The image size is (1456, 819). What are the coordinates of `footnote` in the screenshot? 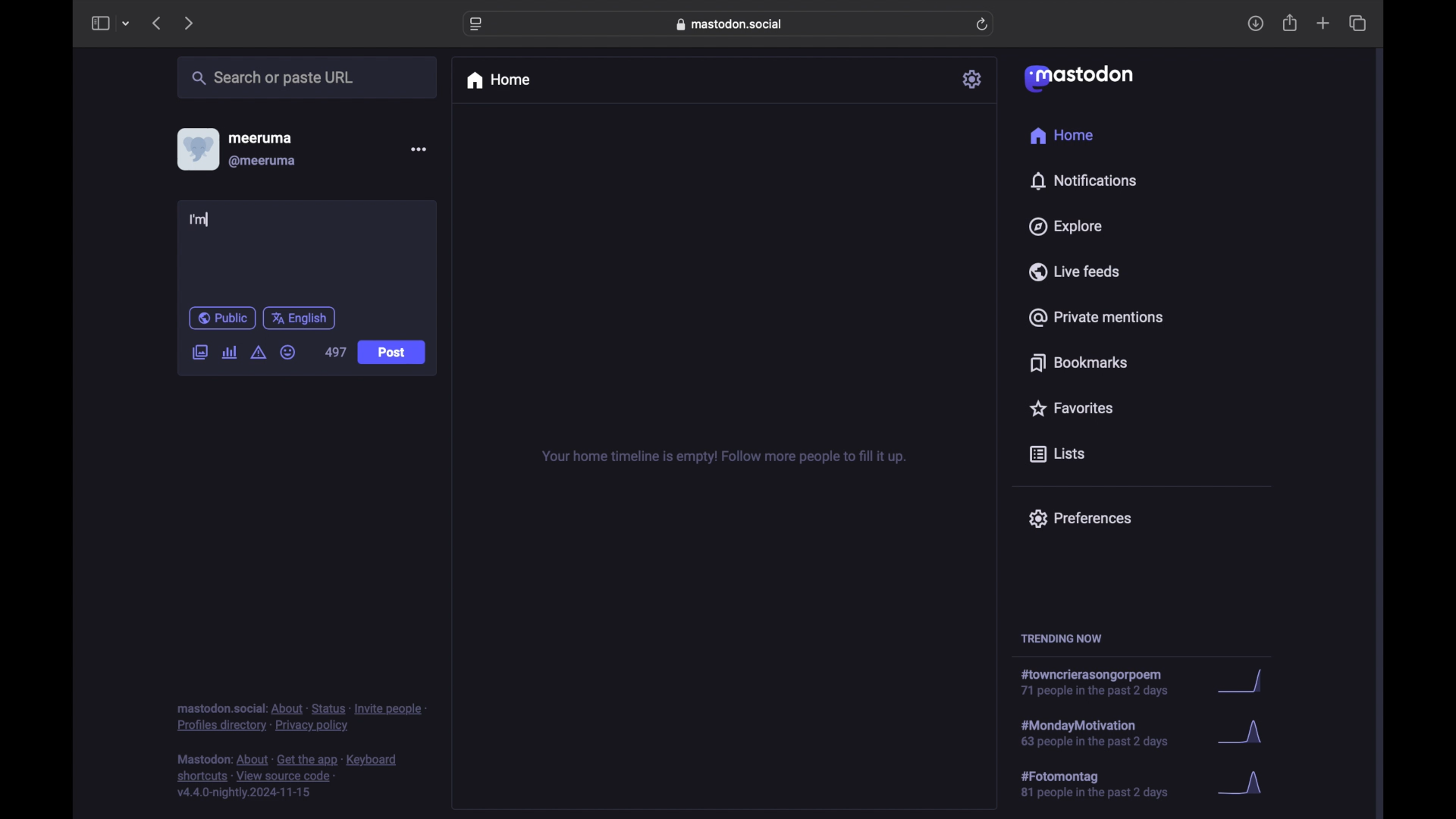 It's located at (301, 718).